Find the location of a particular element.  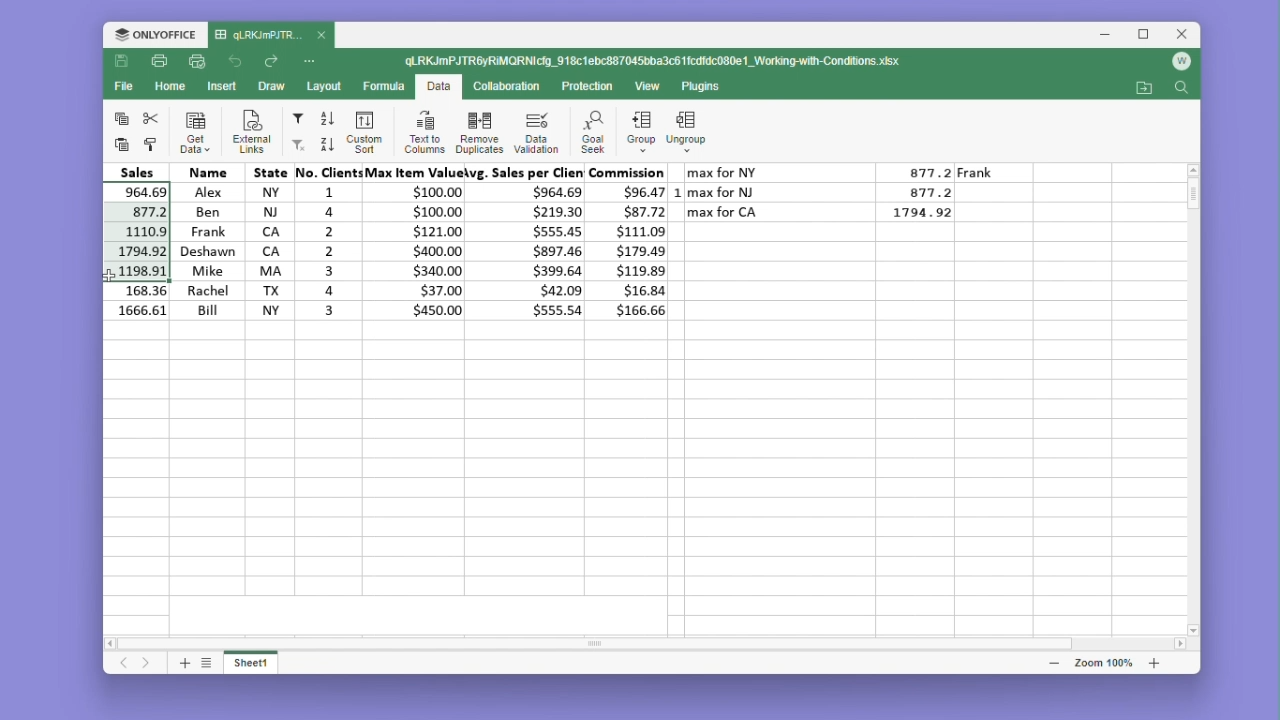

Remove duplicates is located at coordinates (479, 131).